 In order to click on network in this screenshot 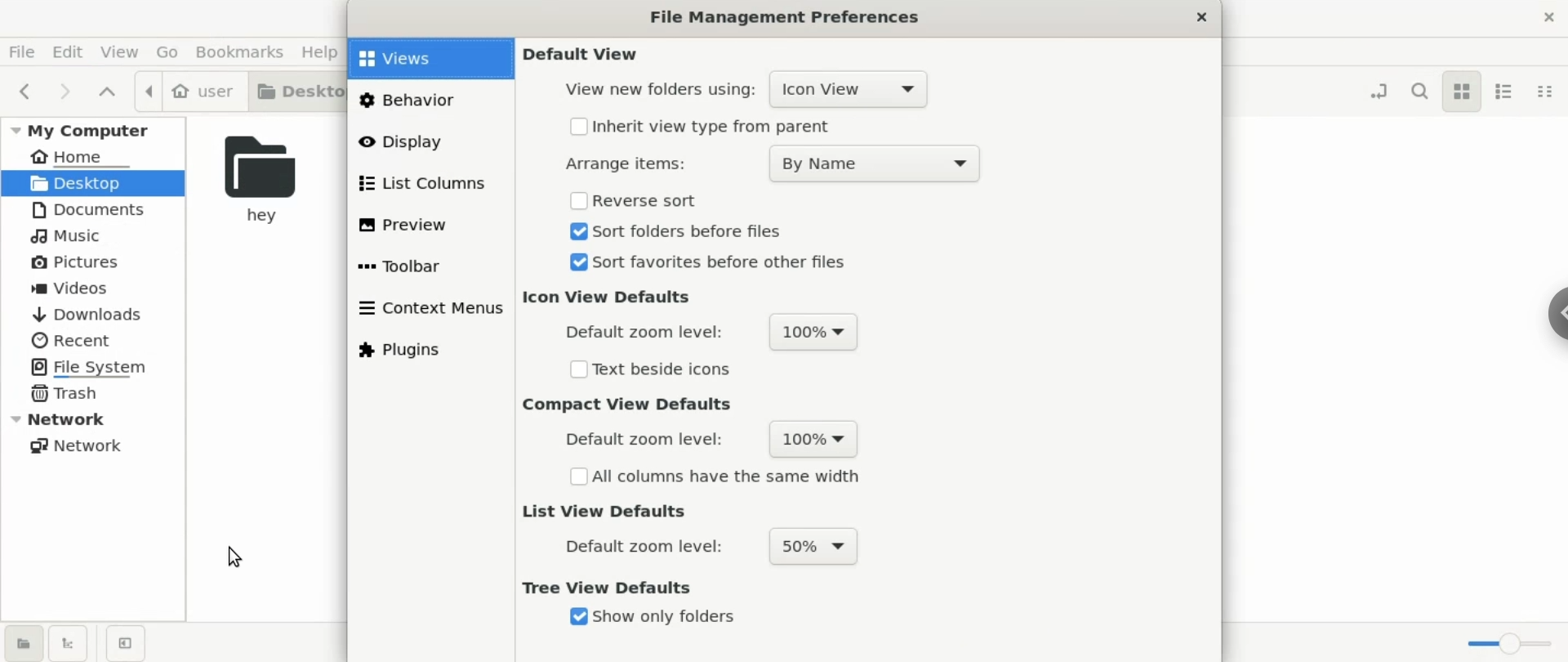, I will do `click(84, 444)`.